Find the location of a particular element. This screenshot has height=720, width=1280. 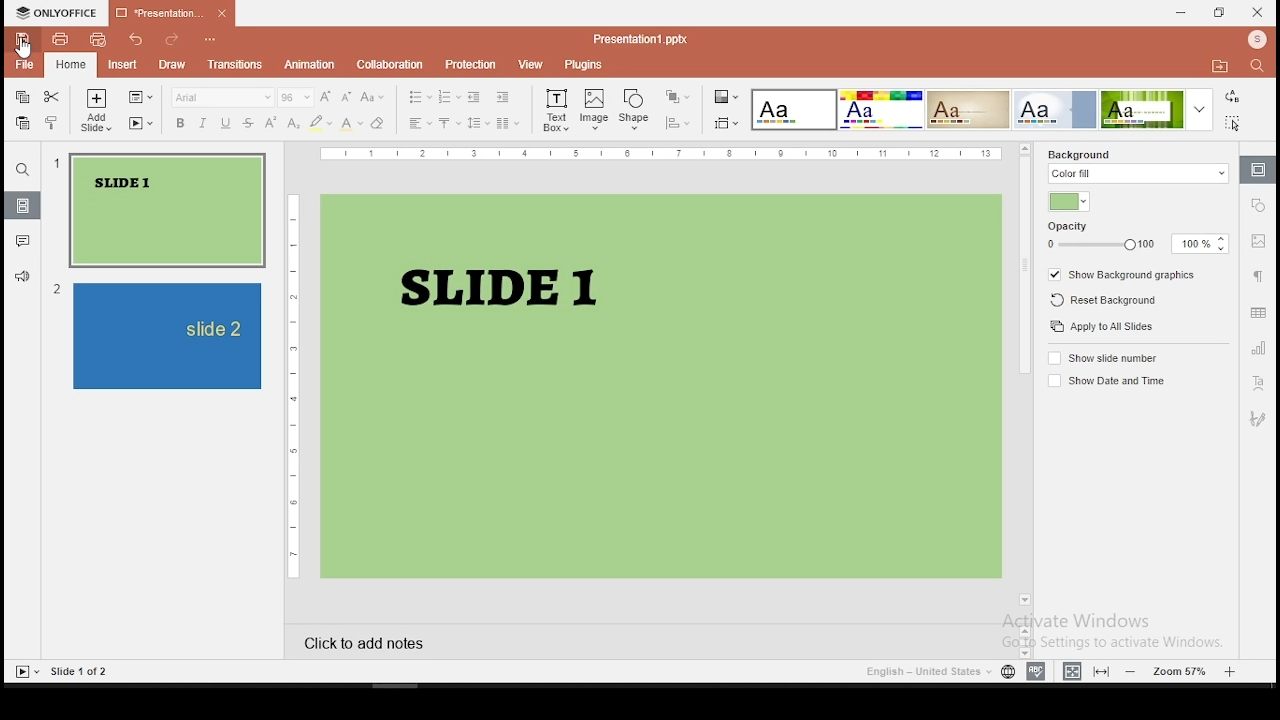

Scrollbar is located at coordinates (1022, 638).